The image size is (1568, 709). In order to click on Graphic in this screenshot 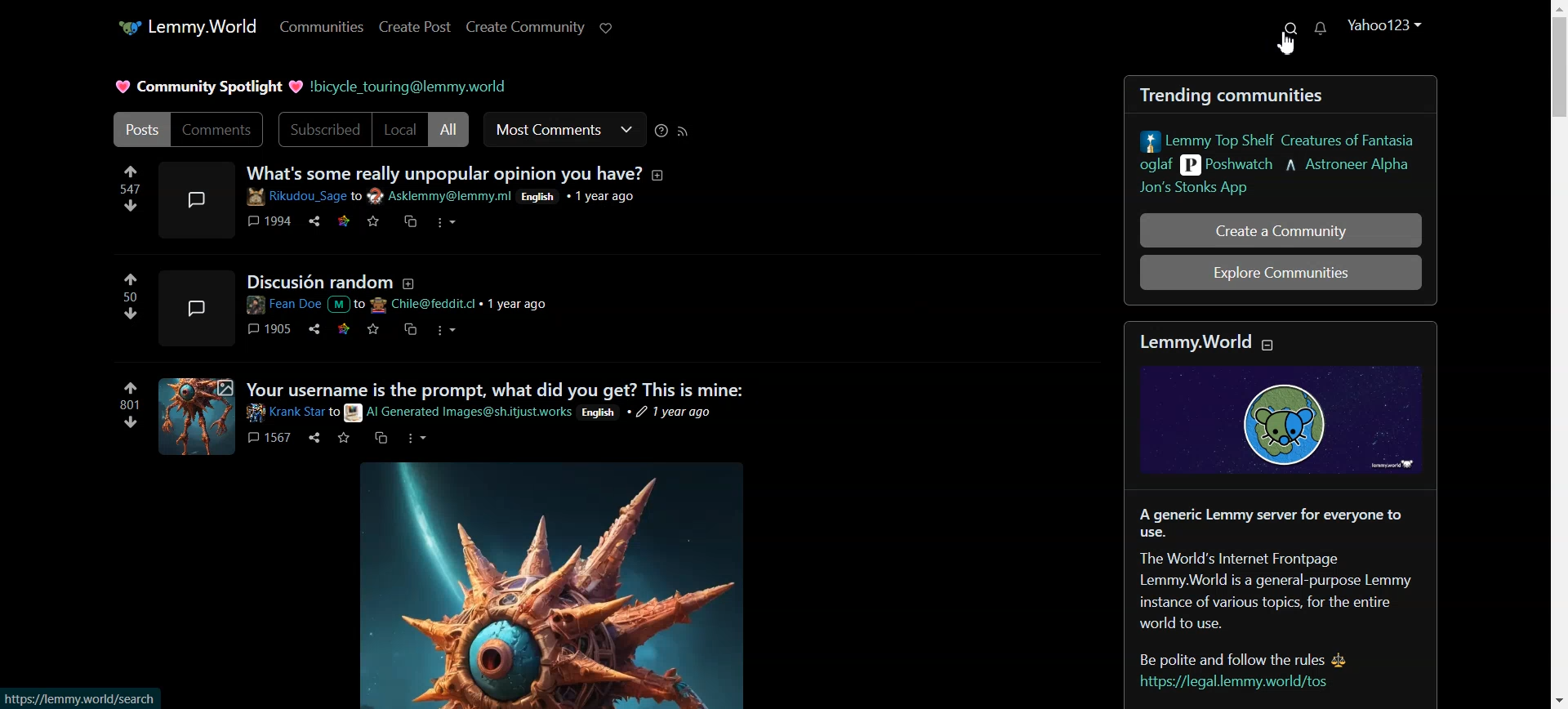, I will do `click(1284, 419)`.